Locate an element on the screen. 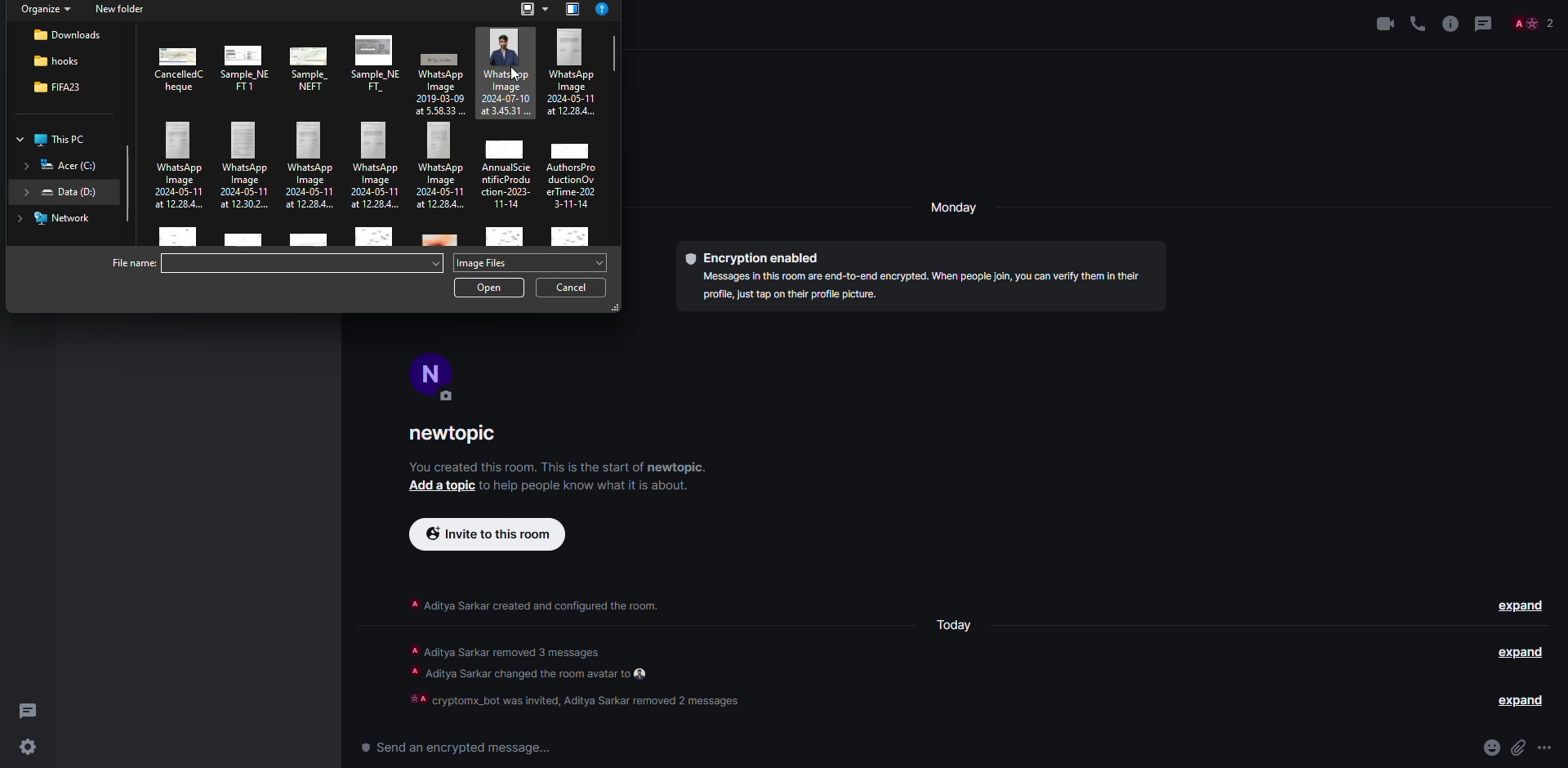  click to select is located at coordinates (247, 64).